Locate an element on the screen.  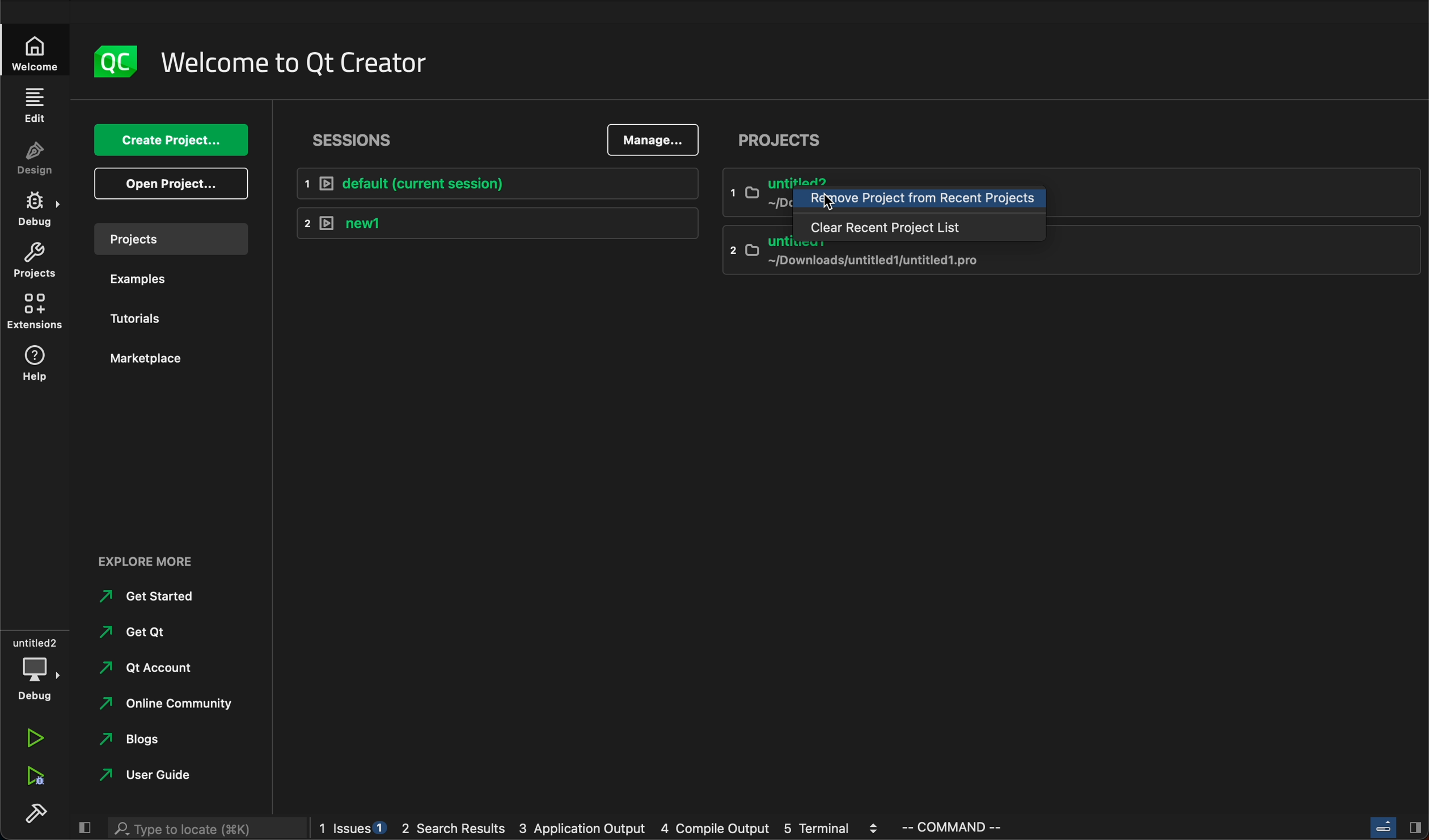
run is located at coordinates (41, 739).